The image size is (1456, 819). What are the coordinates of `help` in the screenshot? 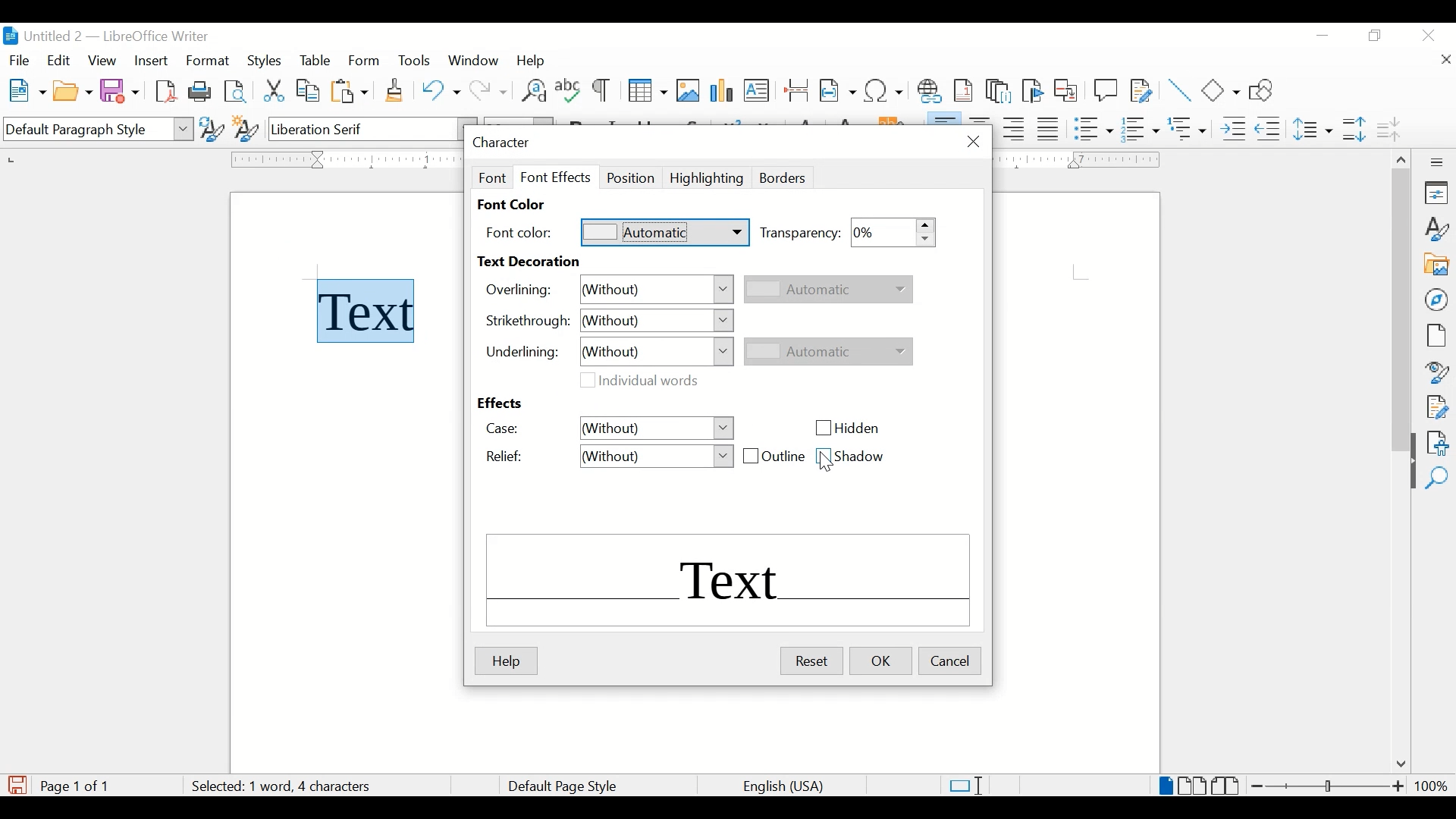 It's located at (504, 661).